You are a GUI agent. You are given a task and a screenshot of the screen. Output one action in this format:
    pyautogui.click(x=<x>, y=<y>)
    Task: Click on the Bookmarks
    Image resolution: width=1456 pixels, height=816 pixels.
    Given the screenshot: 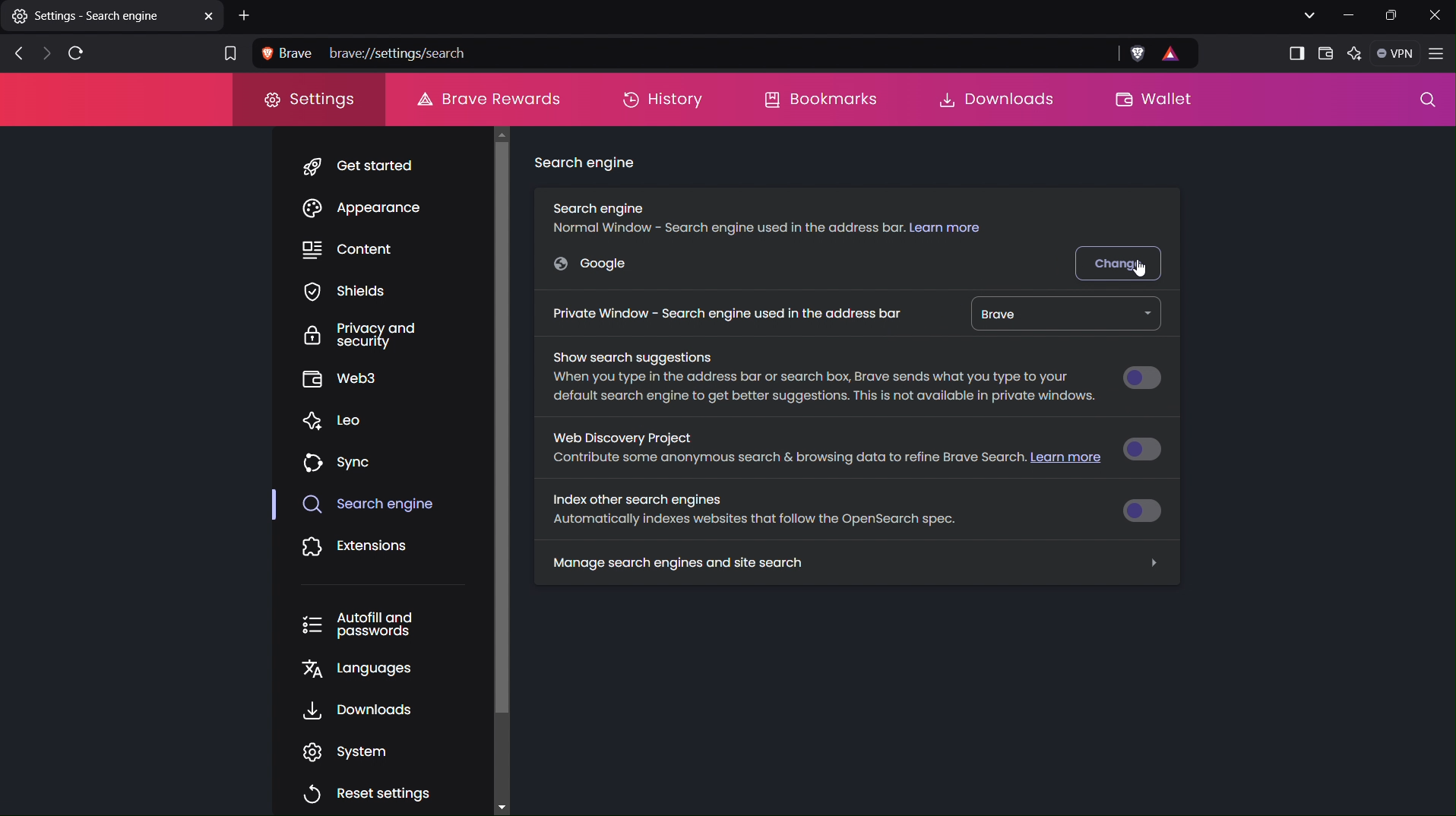 What is the action you would take?
    pyautogui.click(x=823, y=99)
    